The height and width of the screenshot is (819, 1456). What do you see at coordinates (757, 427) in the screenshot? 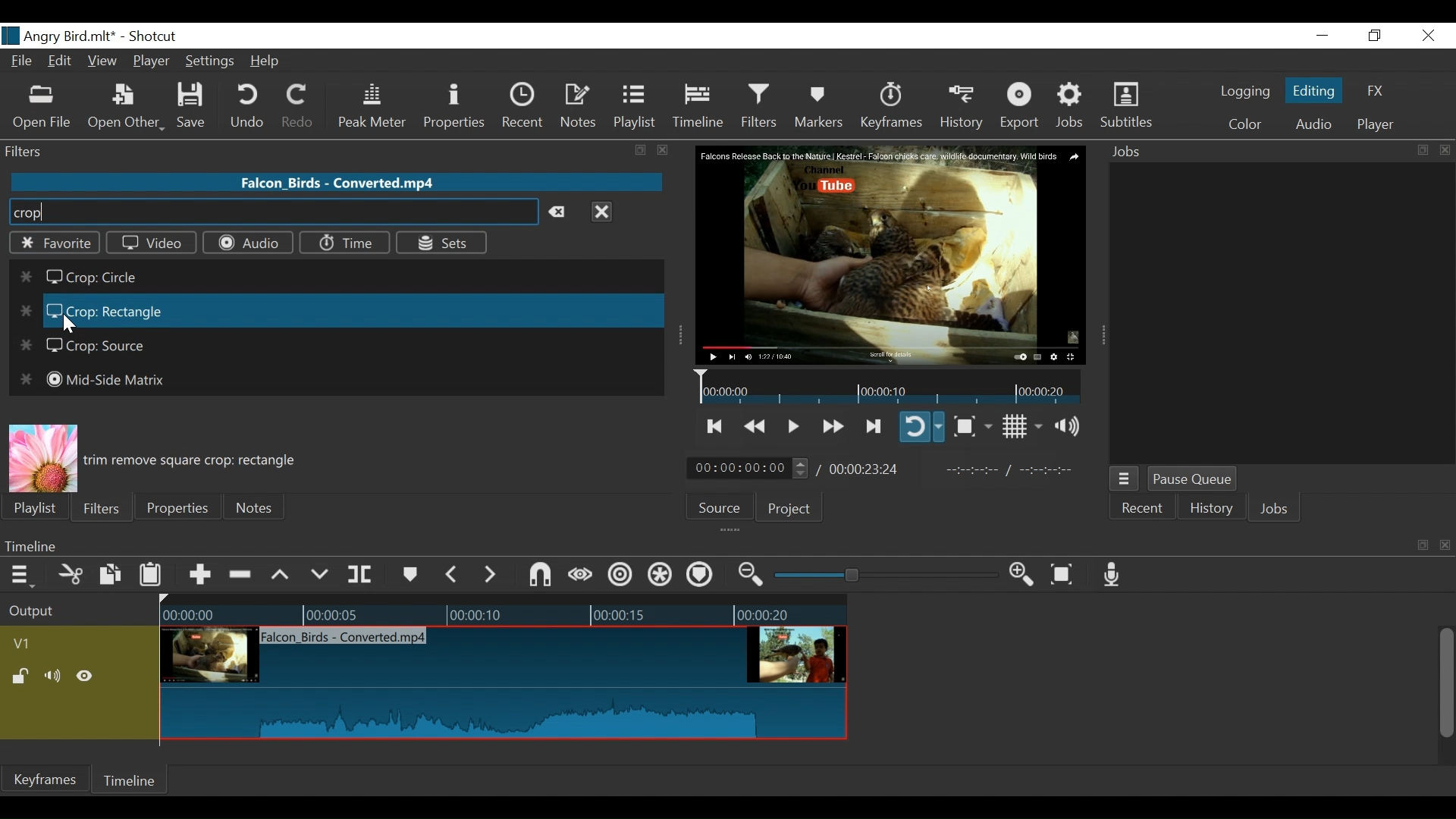
I see `Play backward quickly` at bounding box center [757, 427].